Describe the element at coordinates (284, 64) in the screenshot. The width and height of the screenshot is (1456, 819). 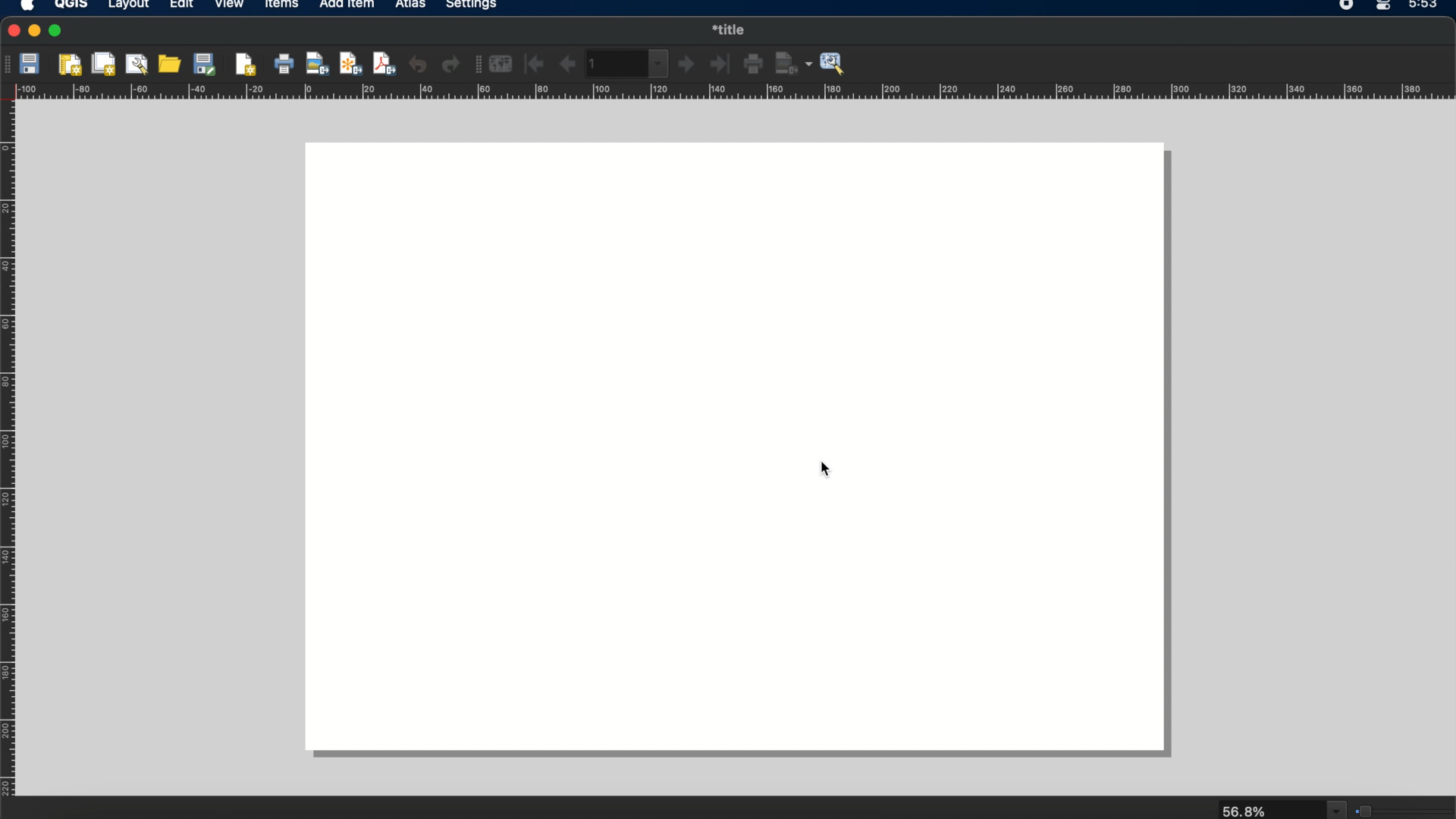
I see `print layout` at that location.